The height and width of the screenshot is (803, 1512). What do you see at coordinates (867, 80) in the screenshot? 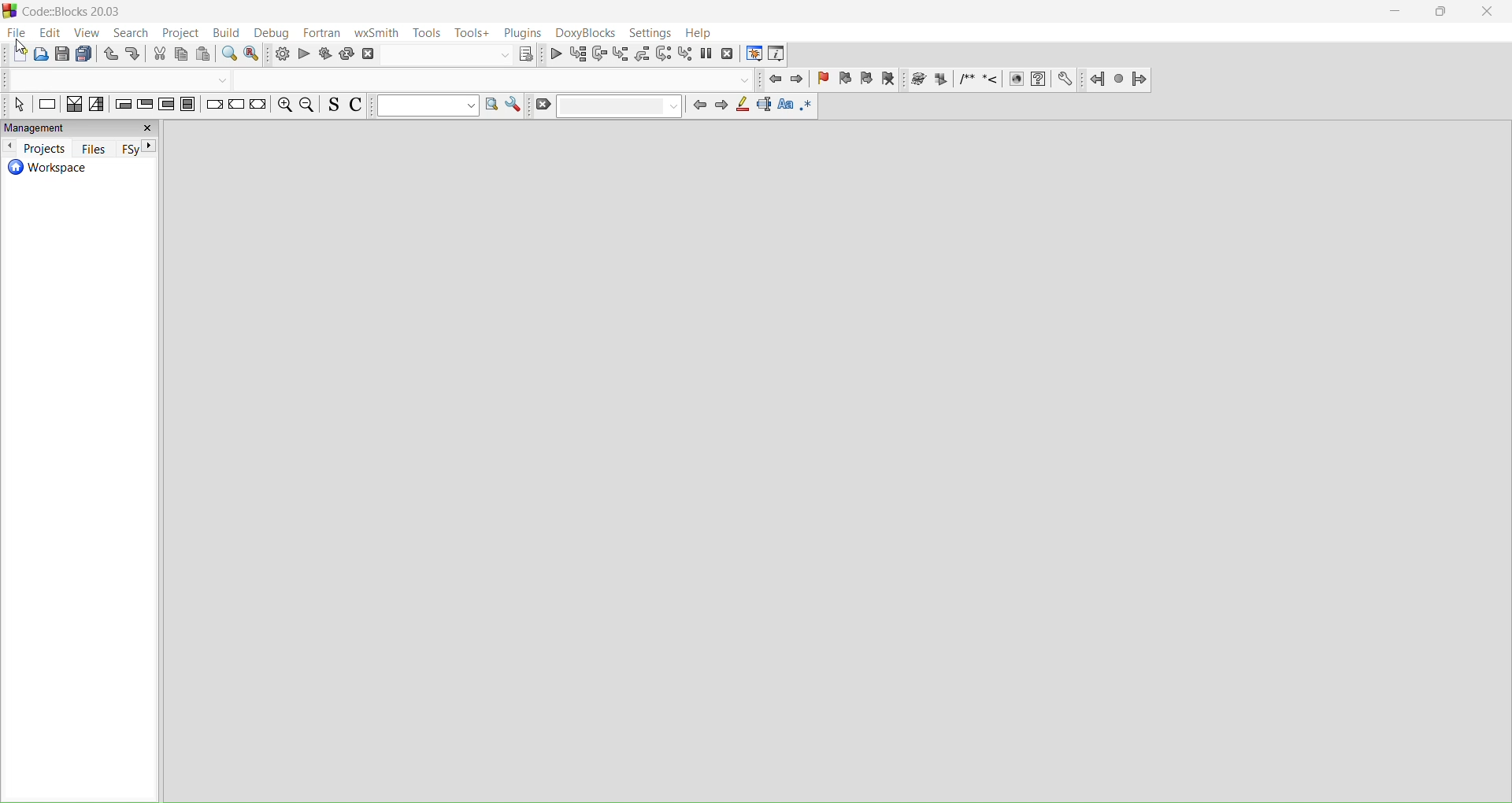
I see `next bookmark` at bounding box center [867, 80].